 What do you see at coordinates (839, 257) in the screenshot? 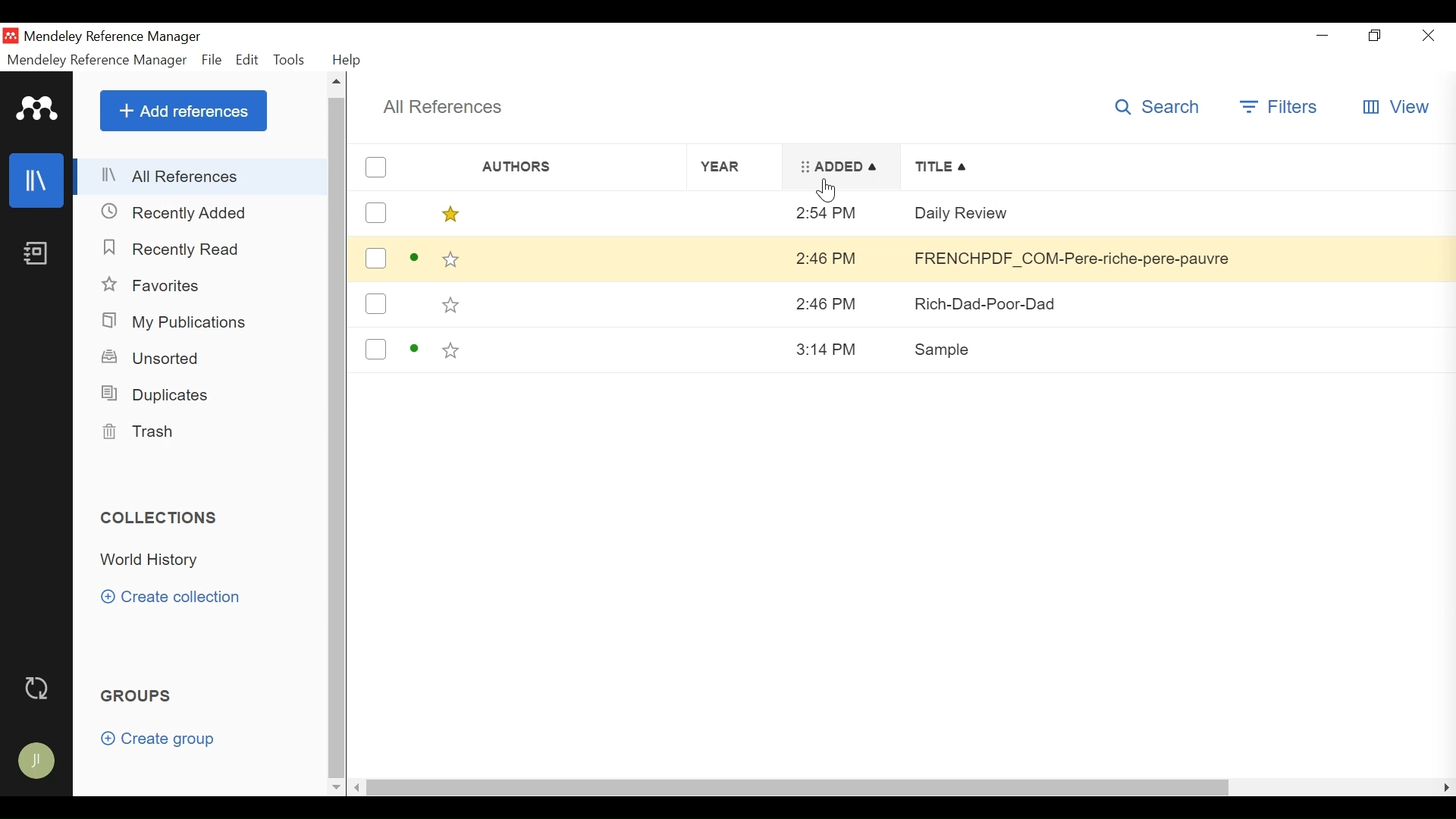
I see `2:46 PM` at bounding box center [839, 257].